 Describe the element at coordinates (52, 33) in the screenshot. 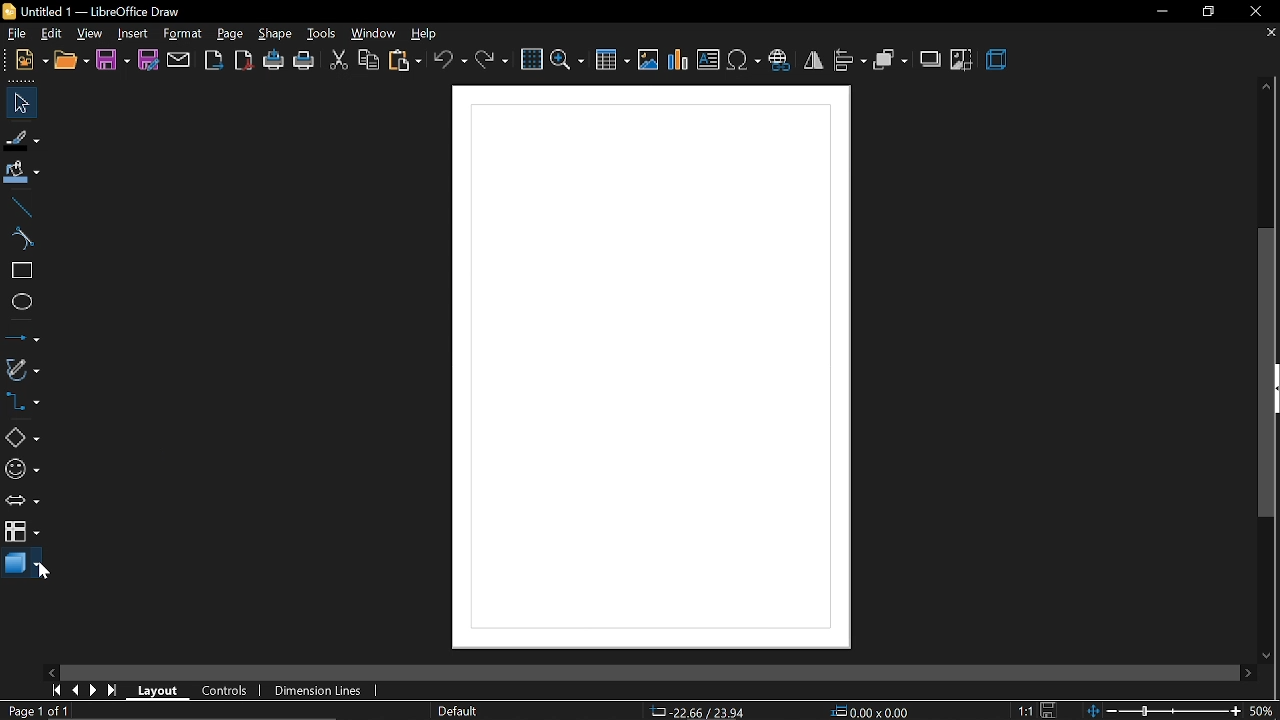

I see `edit` at that location.